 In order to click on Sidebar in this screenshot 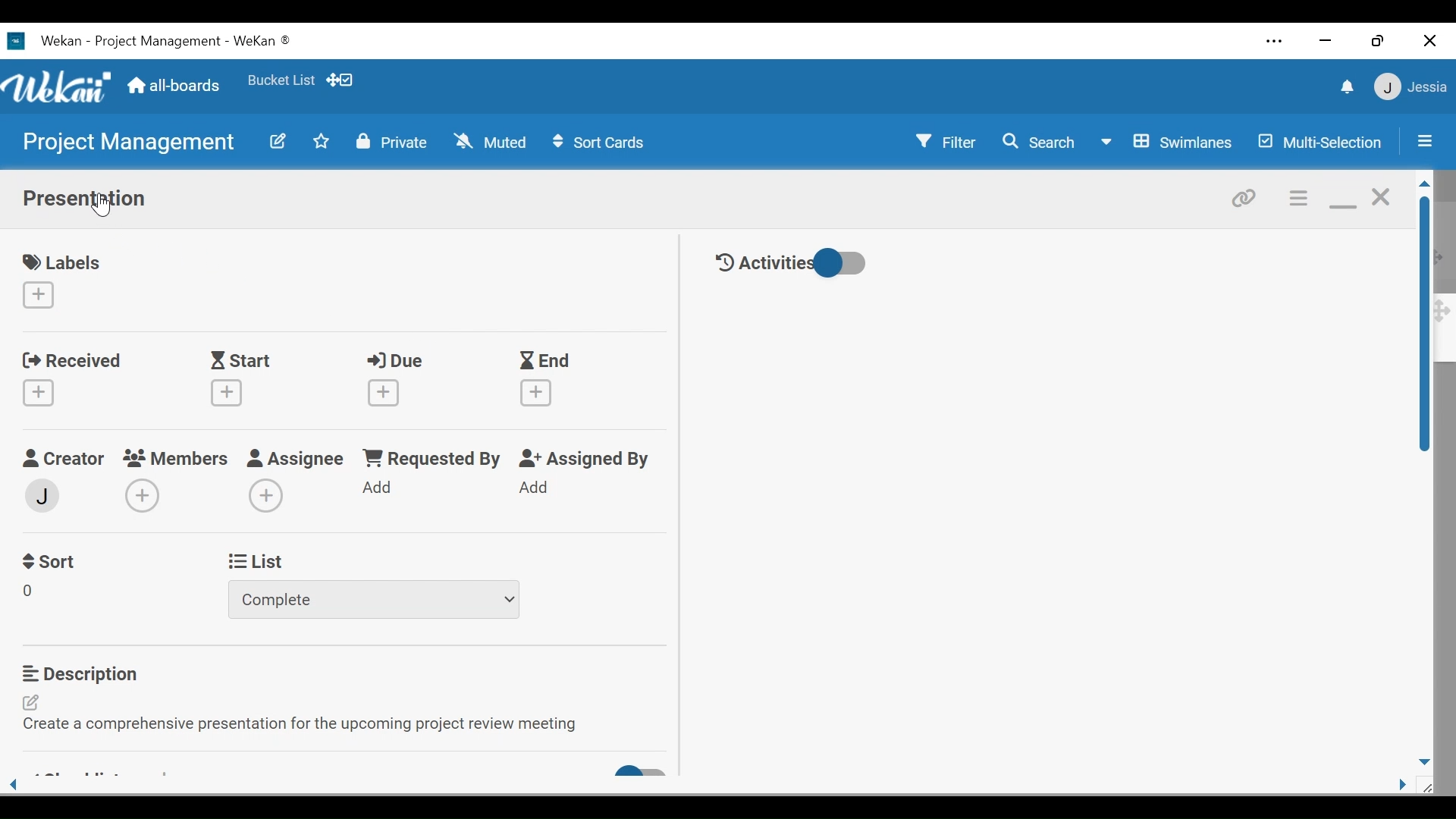, I will do `click(1426, 140)`.